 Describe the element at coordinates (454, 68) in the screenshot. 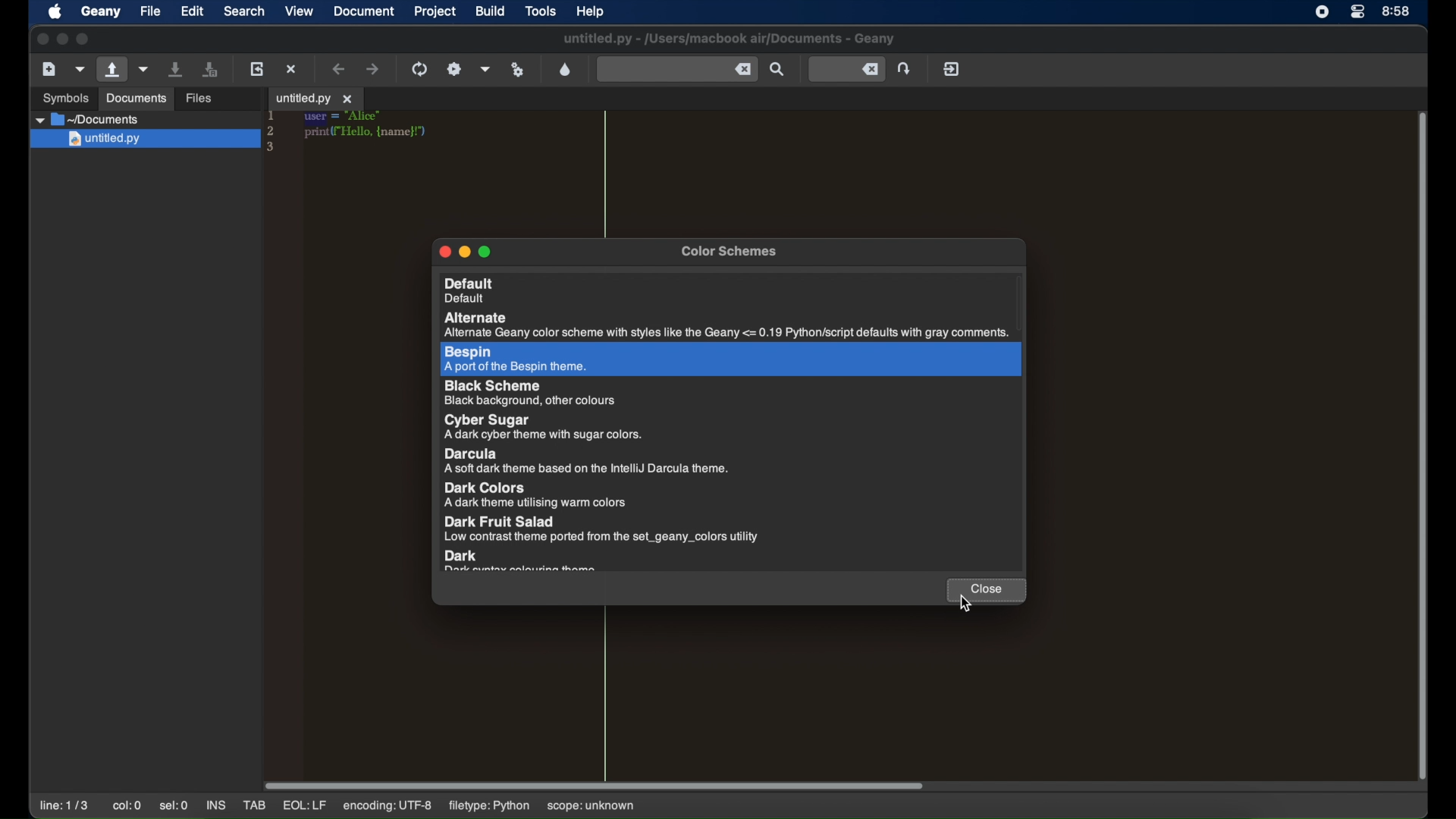

I see `build the current file` at that location.